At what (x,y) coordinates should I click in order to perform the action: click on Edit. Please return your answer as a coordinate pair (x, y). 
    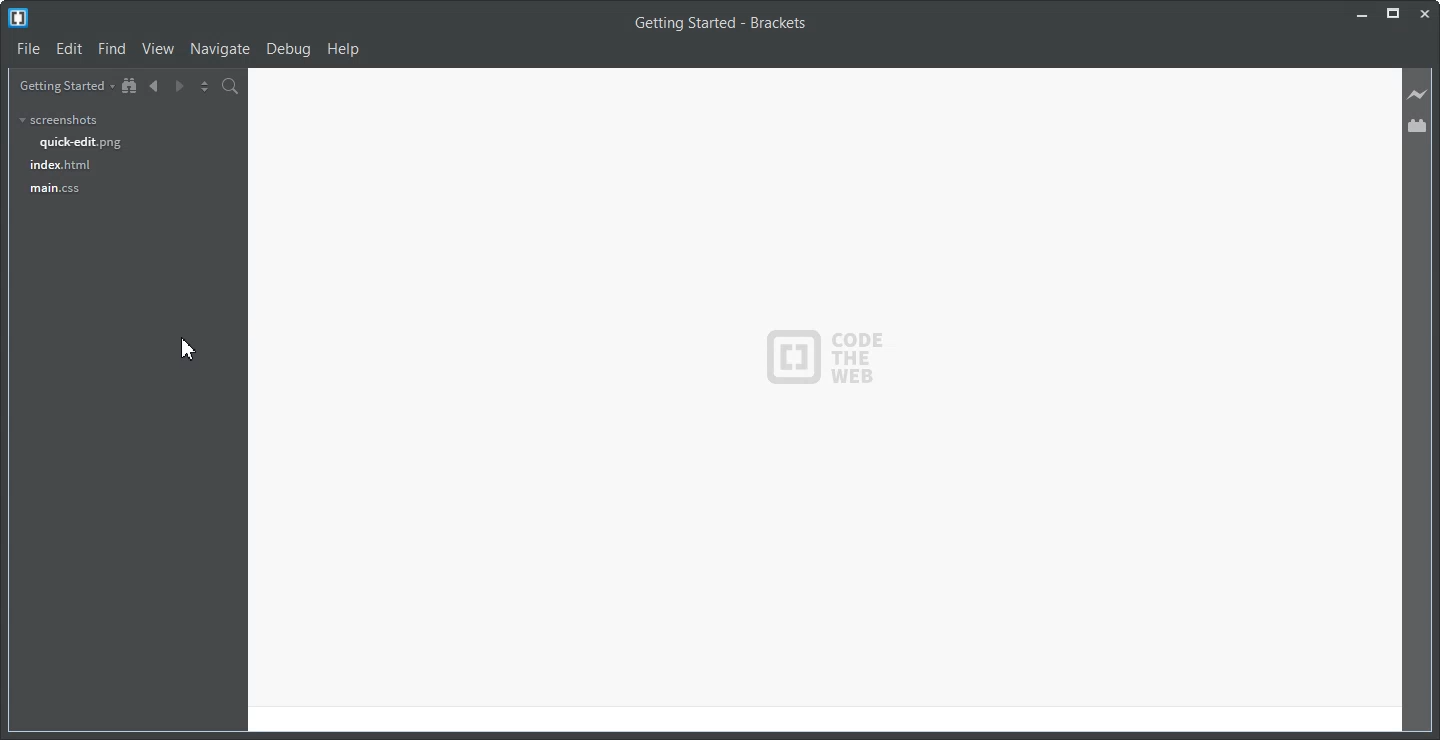
    Looking at the image, I should click on (69, 48).